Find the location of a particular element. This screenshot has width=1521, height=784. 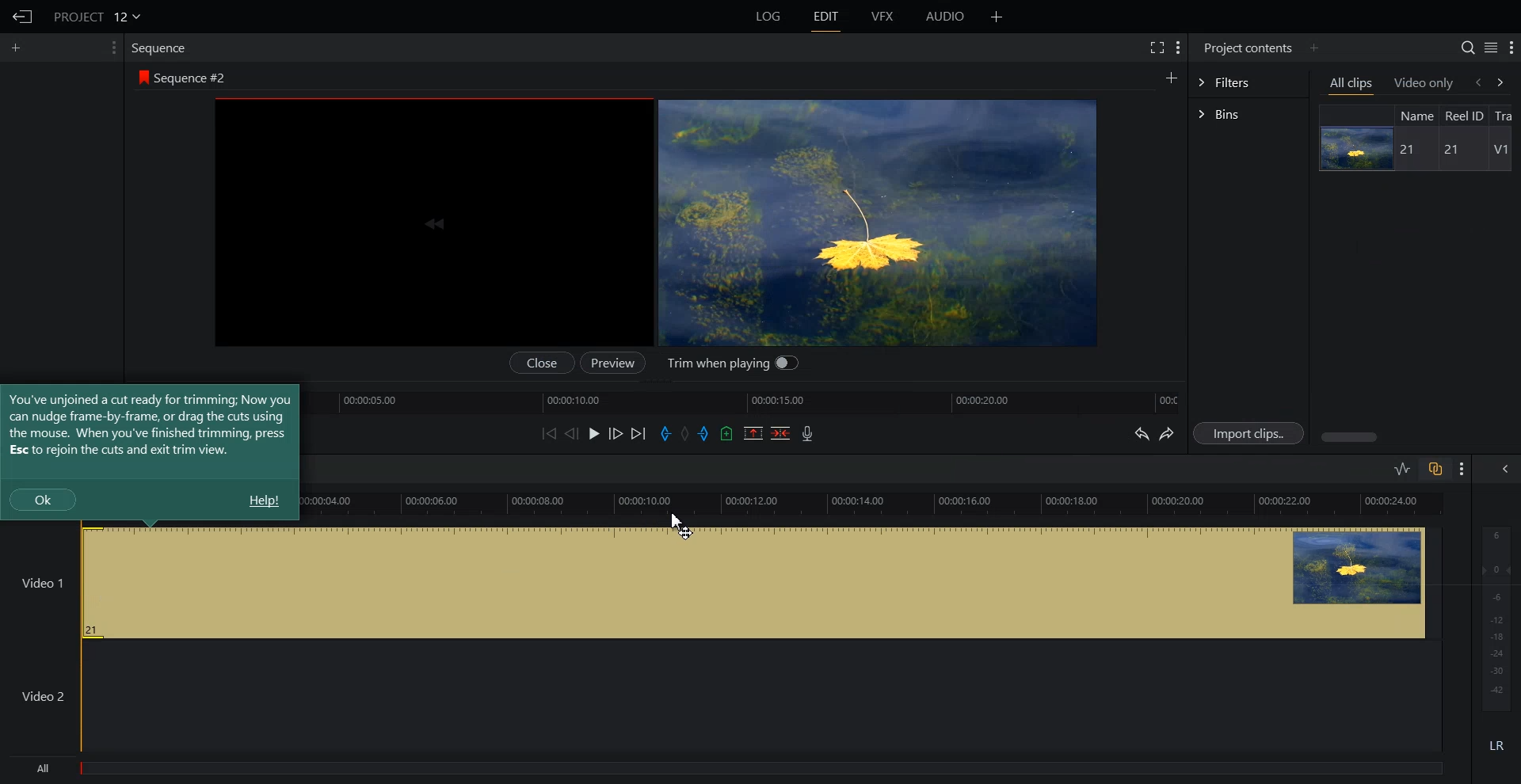

V1 is located at coordinates (1500, 150).